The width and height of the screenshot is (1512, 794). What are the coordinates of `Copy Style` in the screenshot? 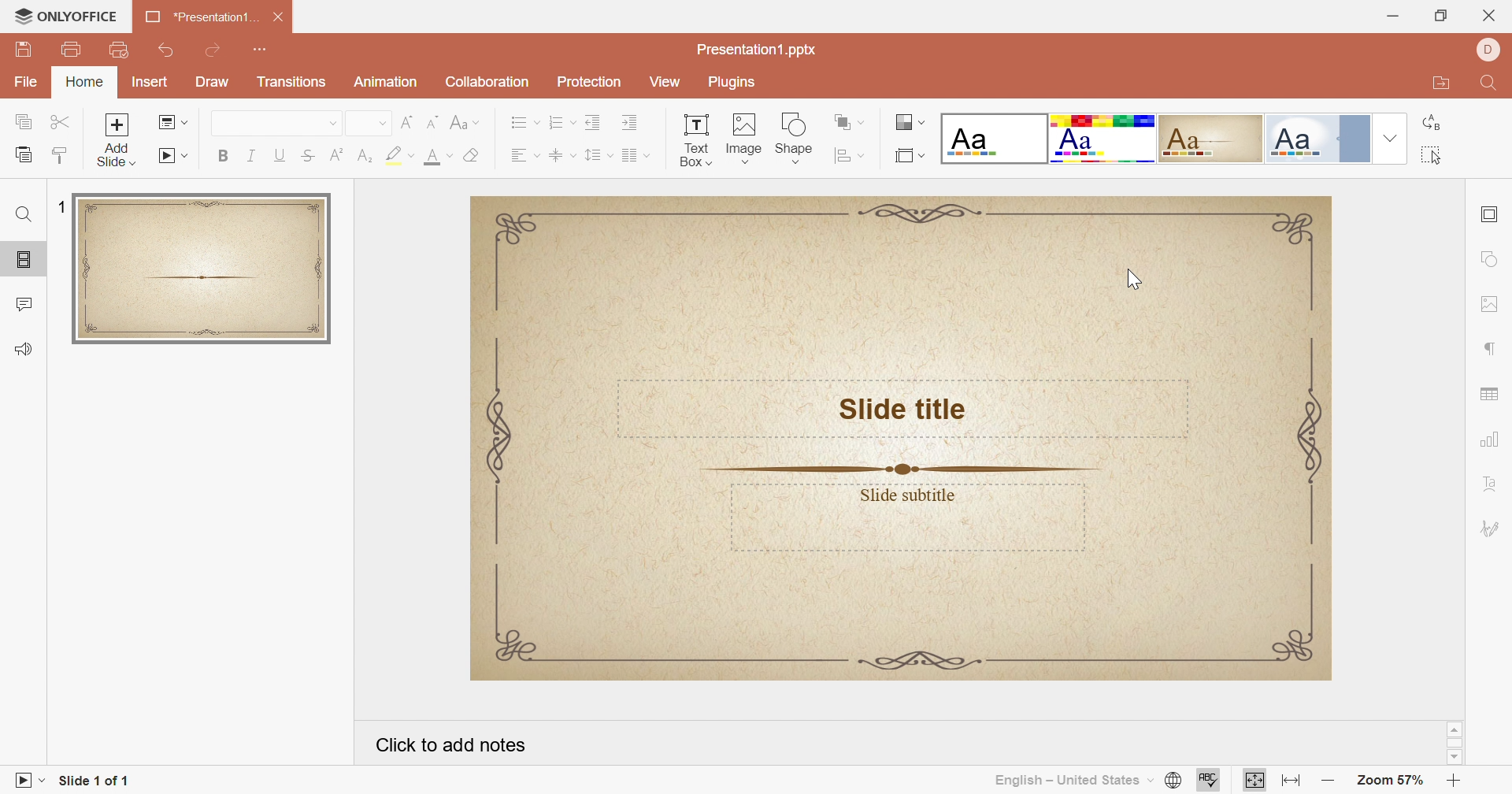 It's located at (64, 153).